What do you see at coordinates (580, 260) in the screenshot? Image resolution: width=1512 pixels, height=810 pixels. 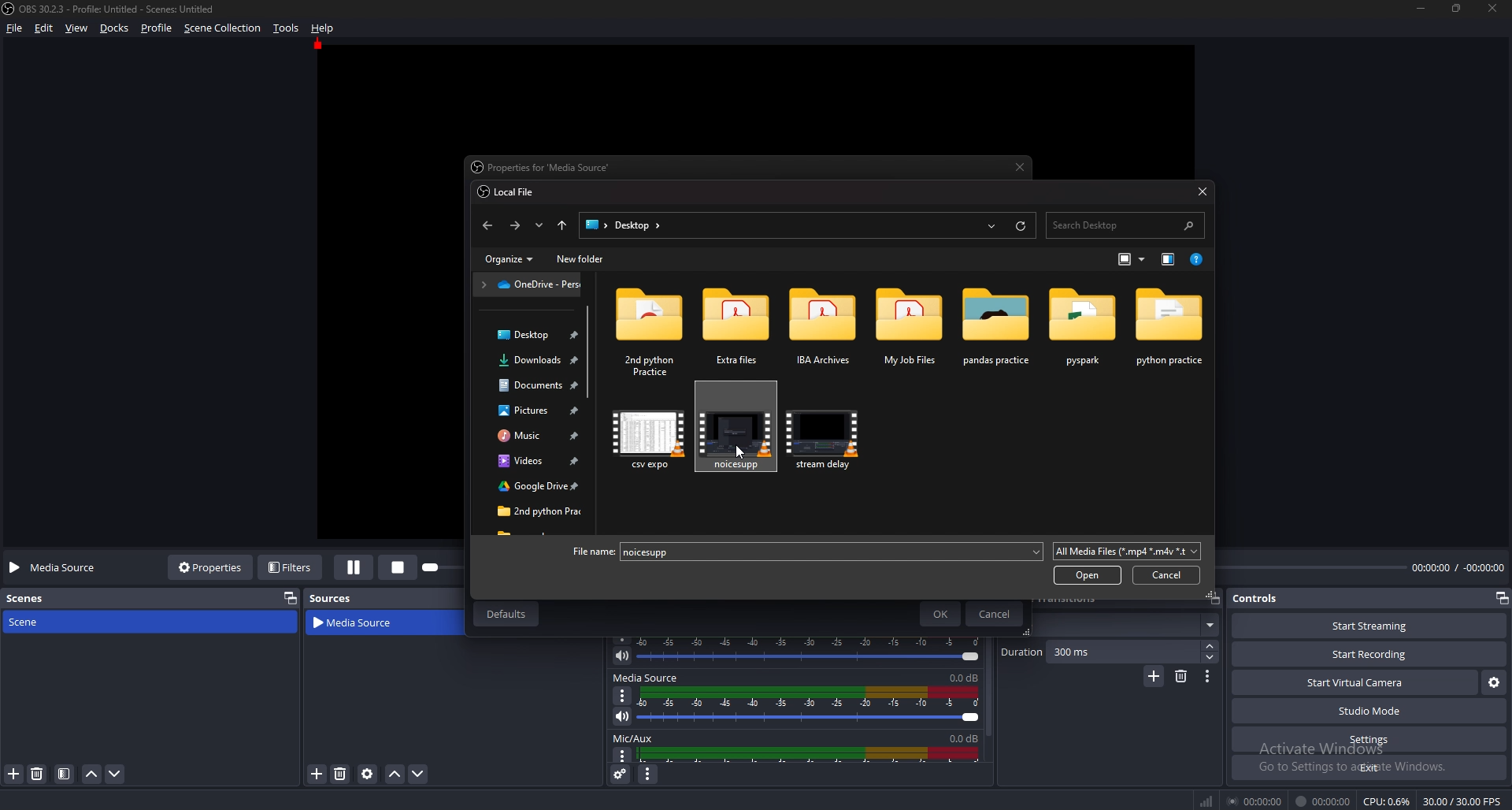 I see `New folder` at bounding box center [580, 260].